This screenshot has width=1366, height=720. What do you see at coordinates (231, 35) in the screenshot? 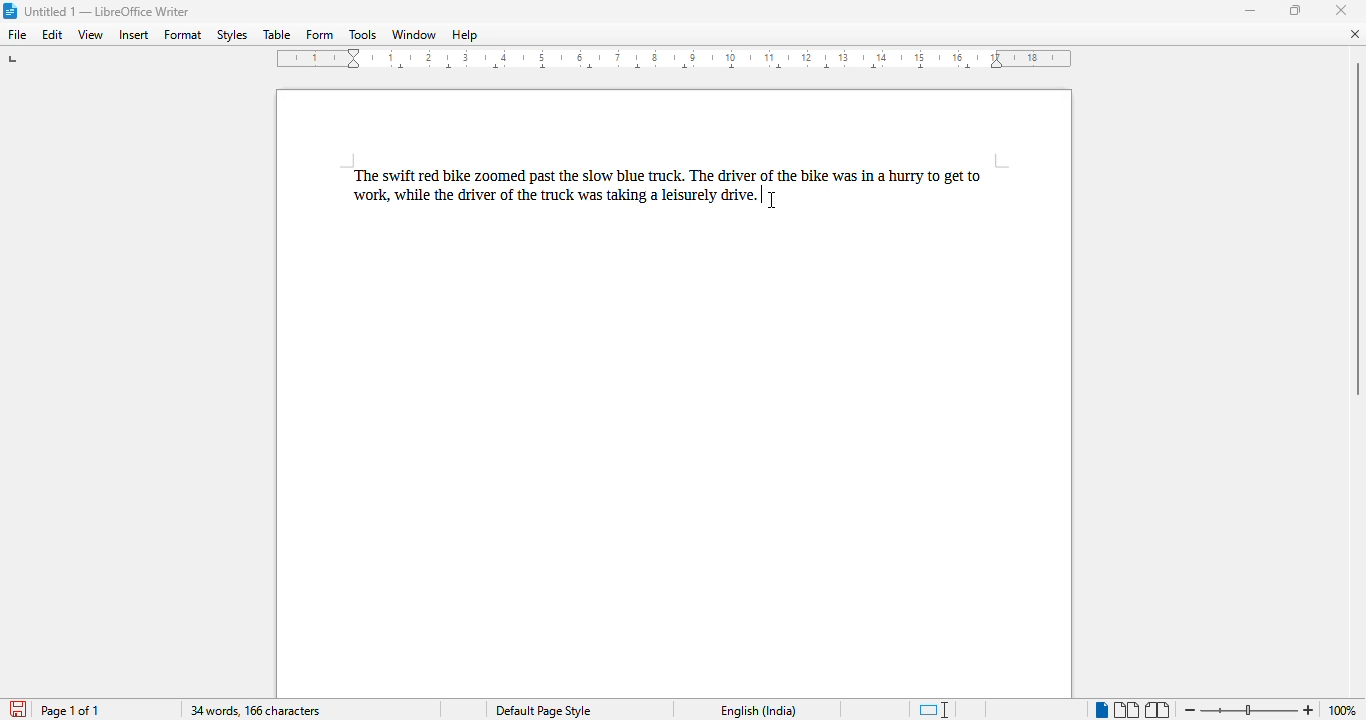
I see `styles` at bounding box center [231, 35].